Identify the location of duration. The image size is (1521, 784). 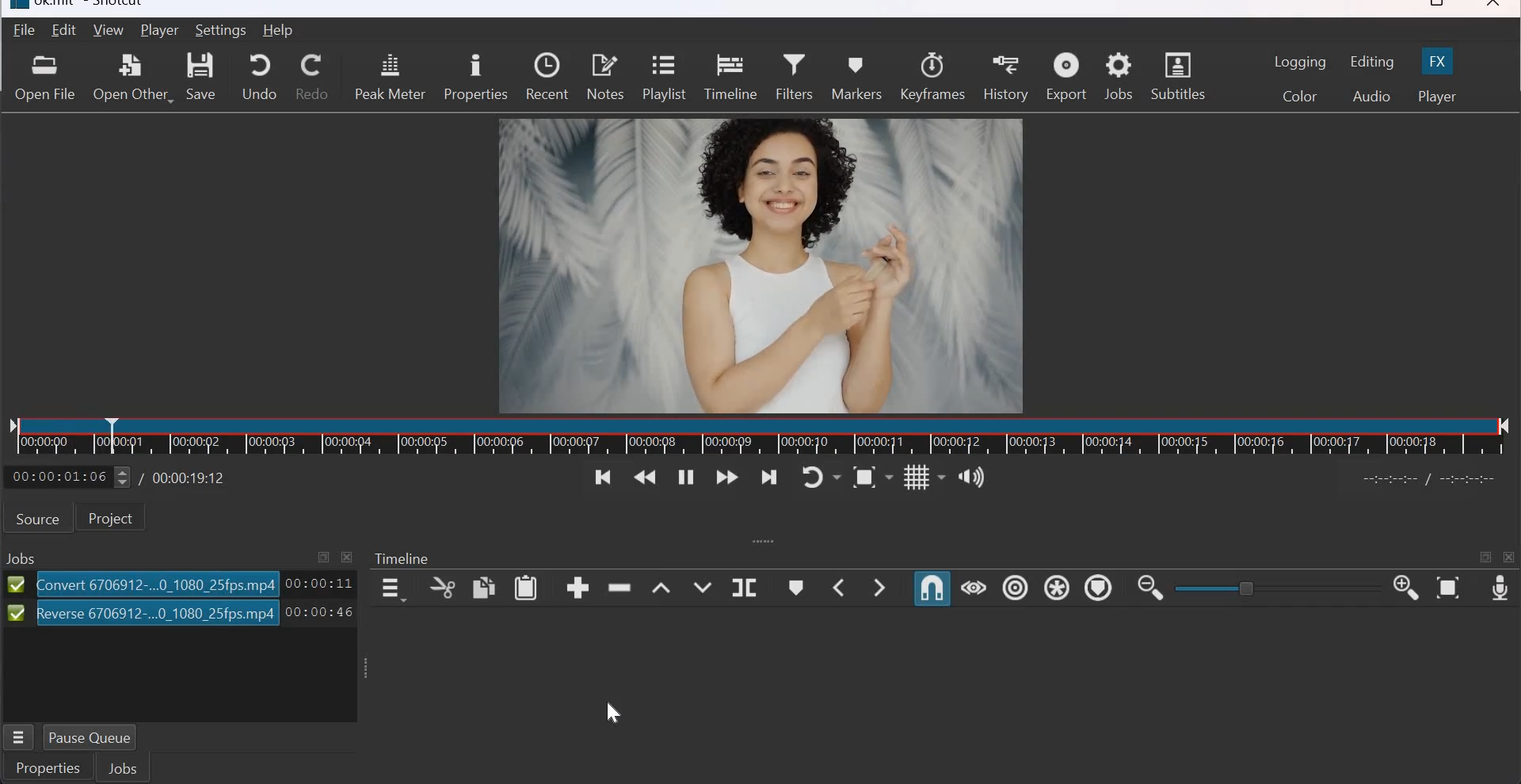
(320, 613).